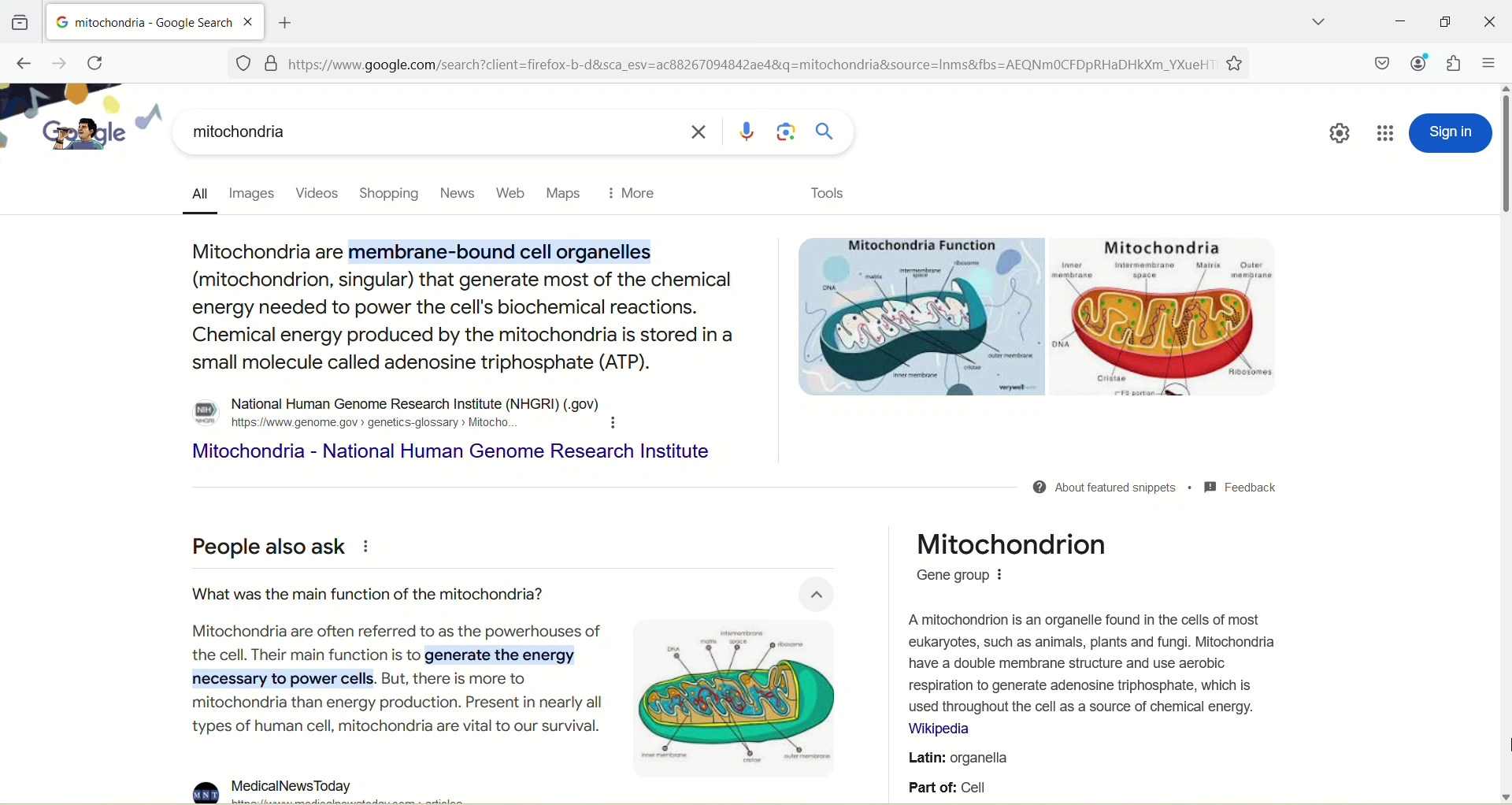  I want to click on [=] https://www.google.com/search?client=firefox-b-d&sca_esv=ac88267094842ae48&q=mitochondria&source=Inms&fbs=AEQNmMOCFDpRHaDHkXm_YXueH, so click(725, 65).